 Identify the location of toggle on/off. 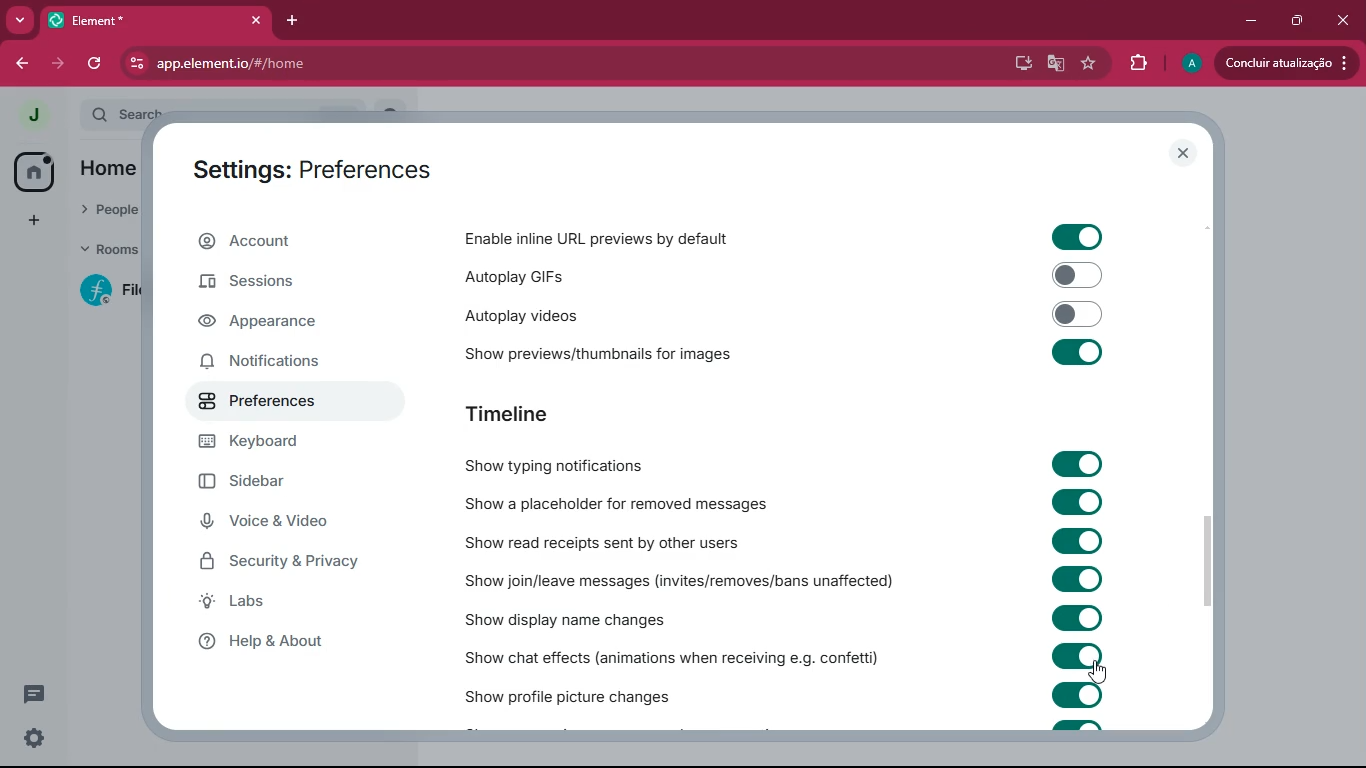
(1078, 275).